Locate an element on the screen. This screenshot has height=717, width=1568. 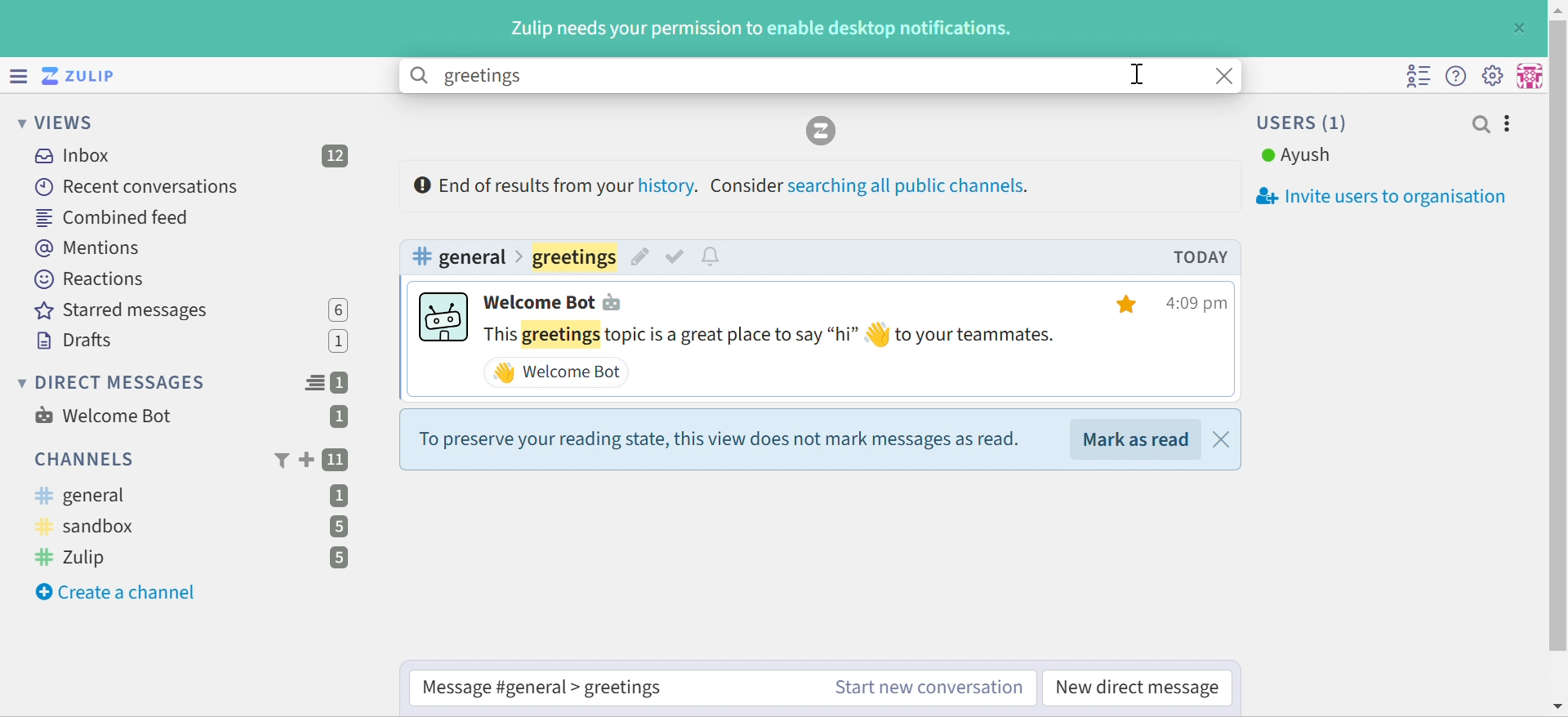
Edit topic is located at coordinates (639, 259).